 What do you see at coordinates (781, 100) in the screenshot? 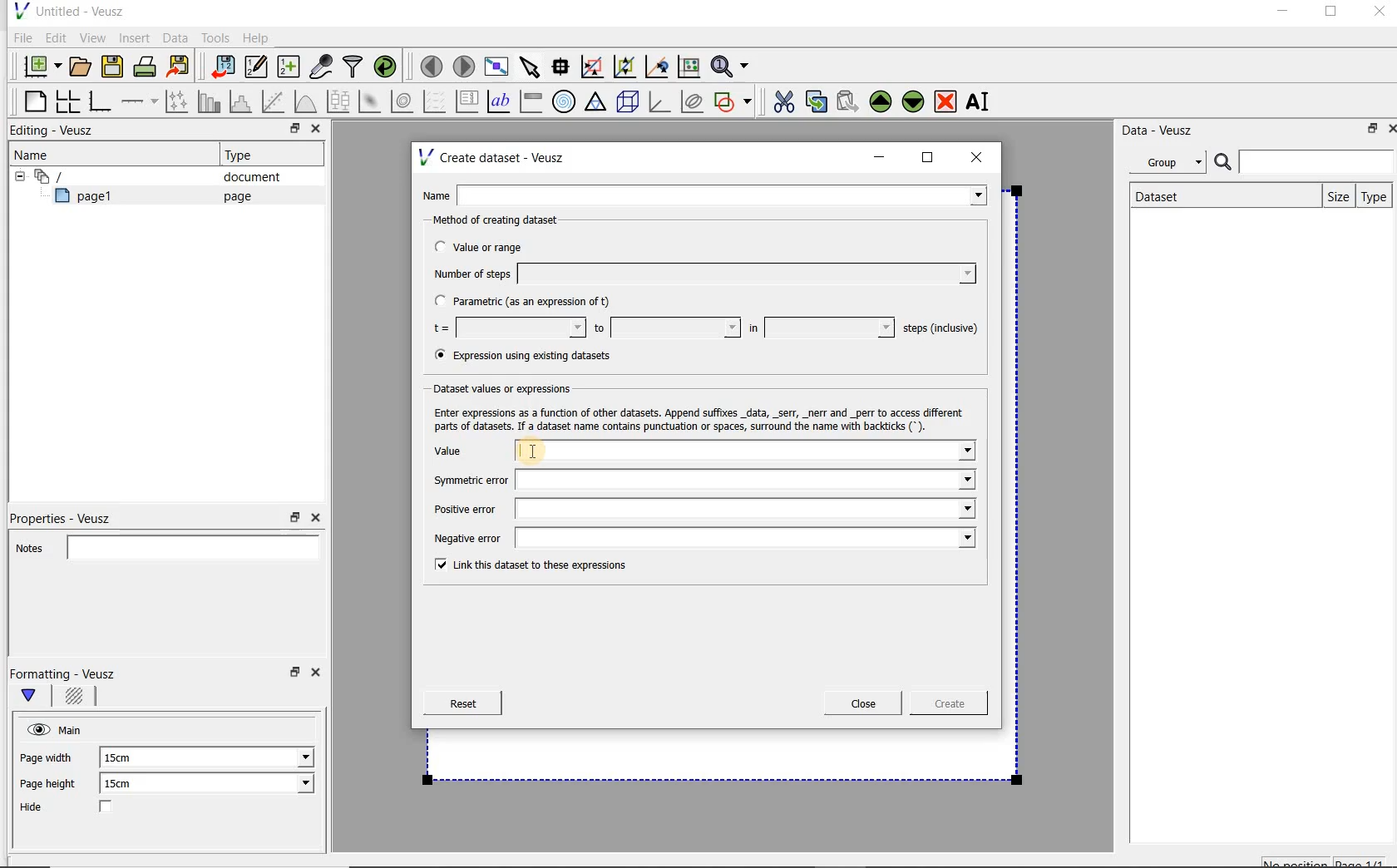
I see `cut the selected widget` at bounding box center [781, 100].